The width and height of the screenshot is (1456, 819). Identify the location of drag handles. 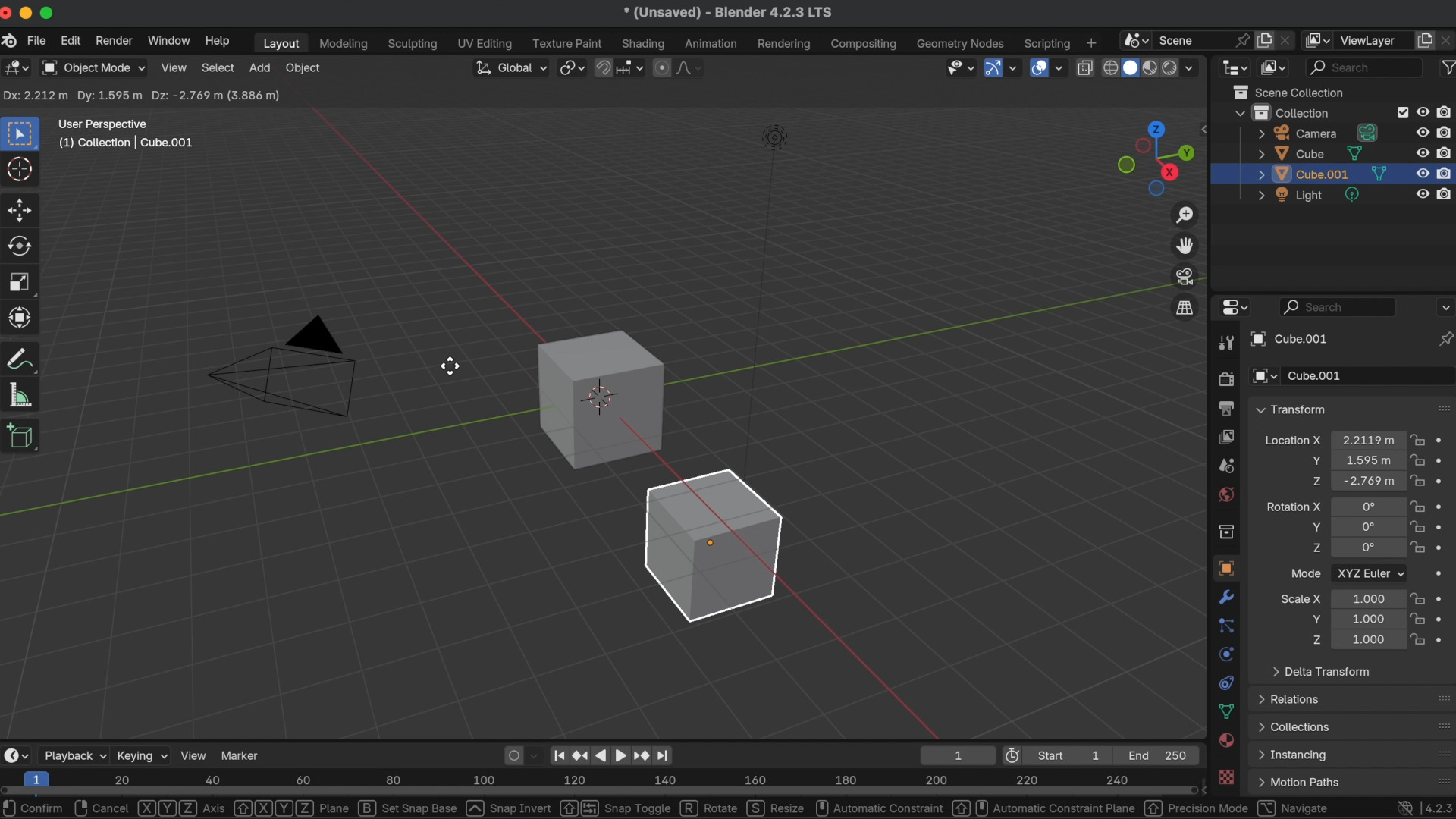
(1442, 753).